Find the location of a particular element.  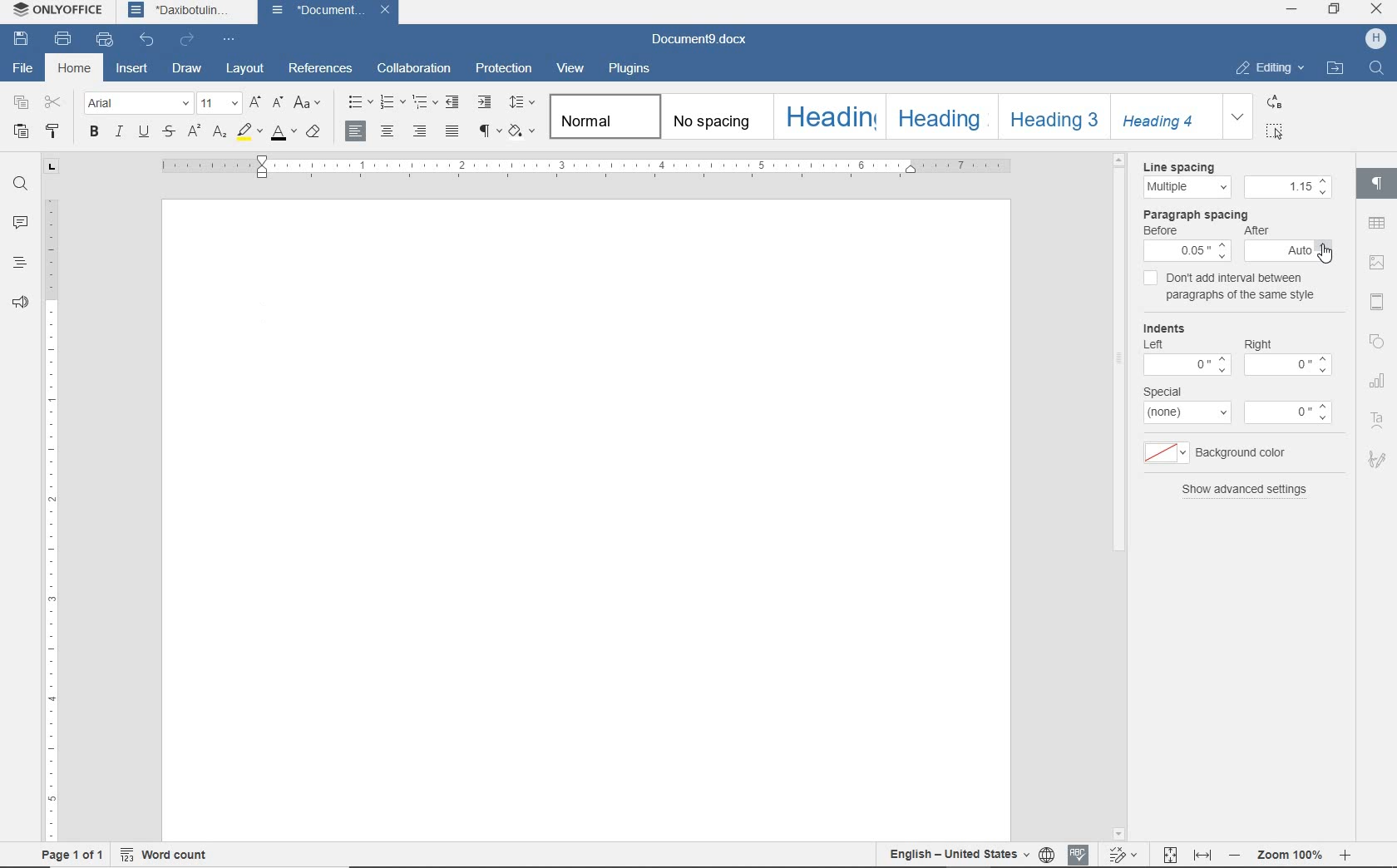

before is located at coordinates (1161, 230).